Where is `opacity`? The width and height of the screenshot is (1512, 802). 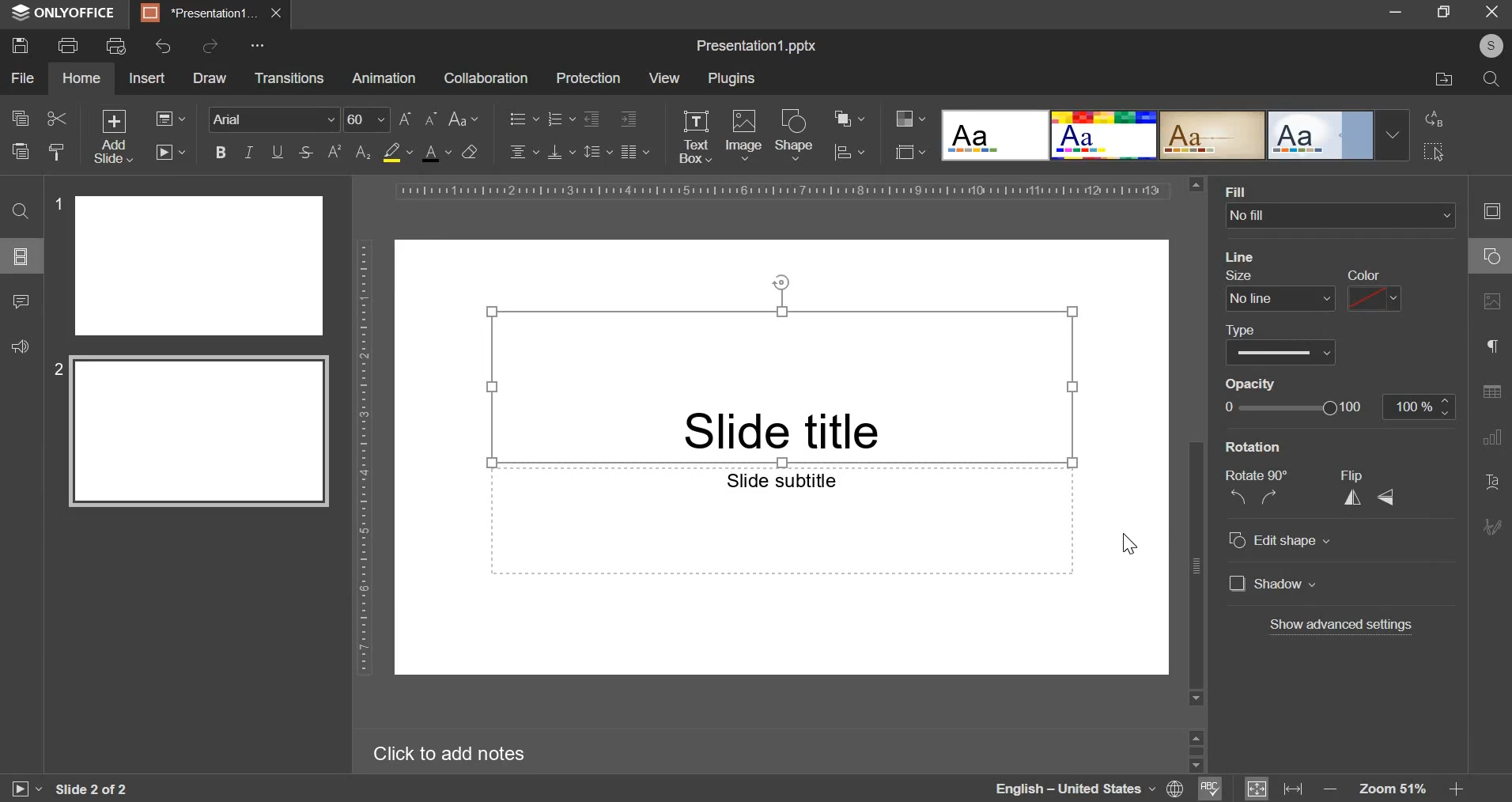 opacity is located at coordinates (1258, 384).